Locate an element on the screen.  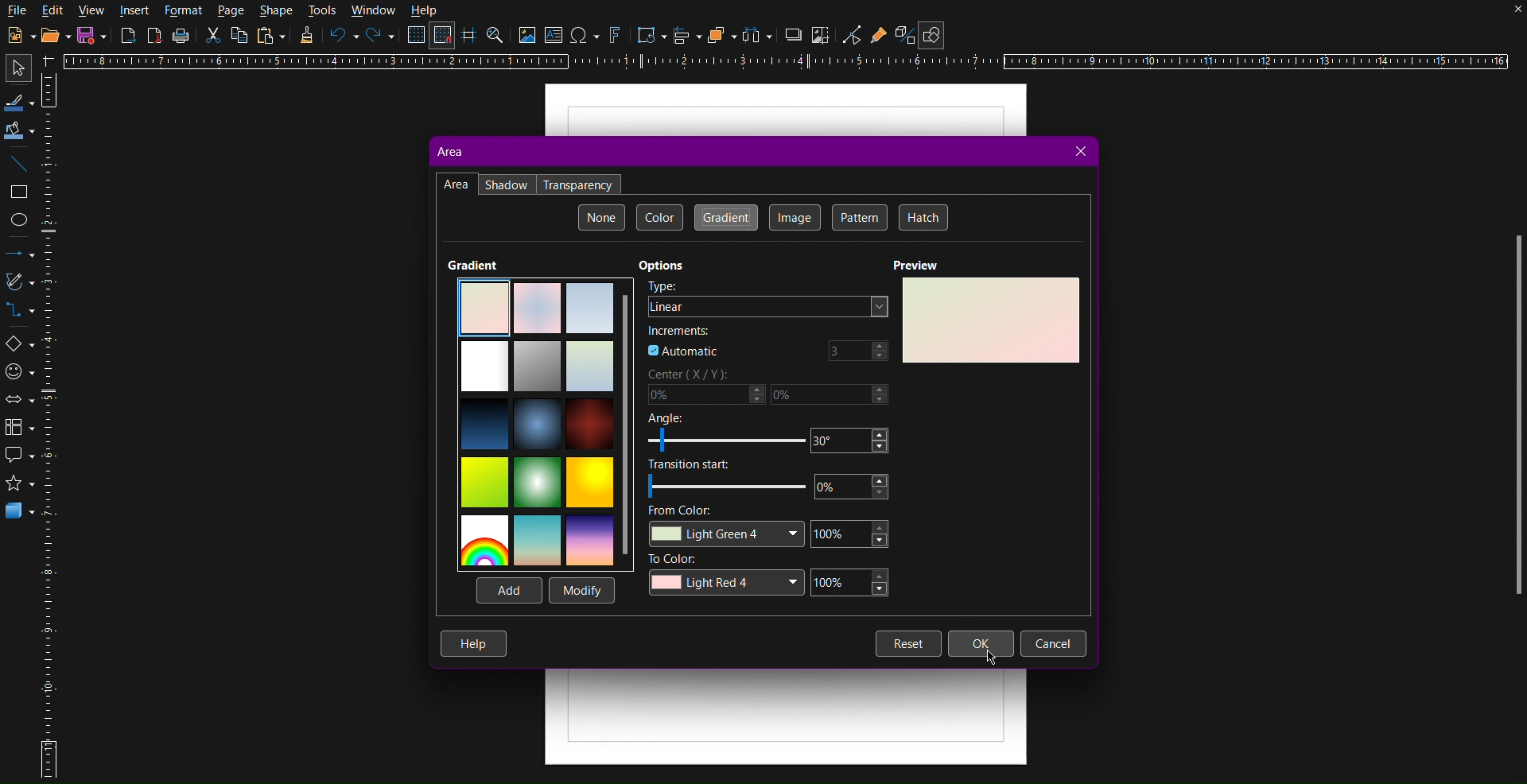
Add is located at coordinates (510, 592).